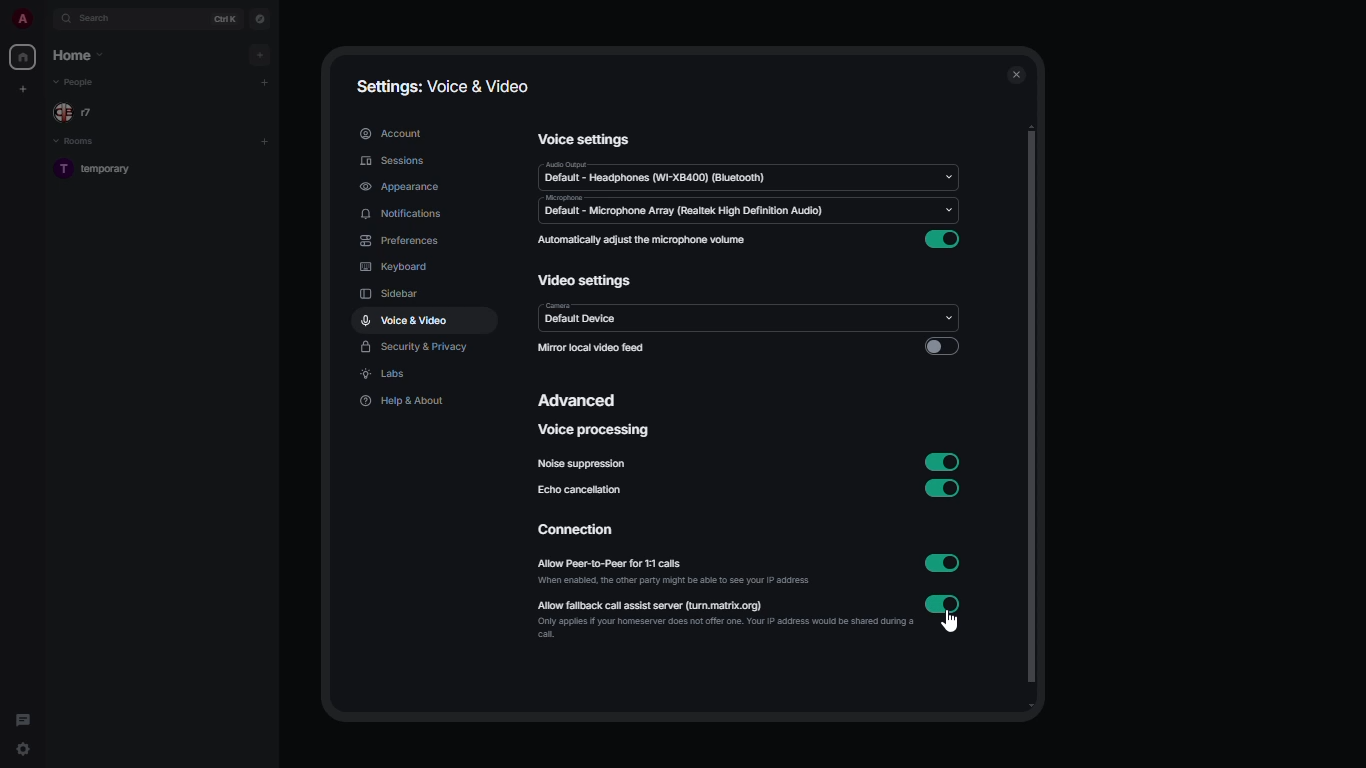  Describe the element at coordinates (404, 321) in the screenshot. I see `voice & video` at that location.